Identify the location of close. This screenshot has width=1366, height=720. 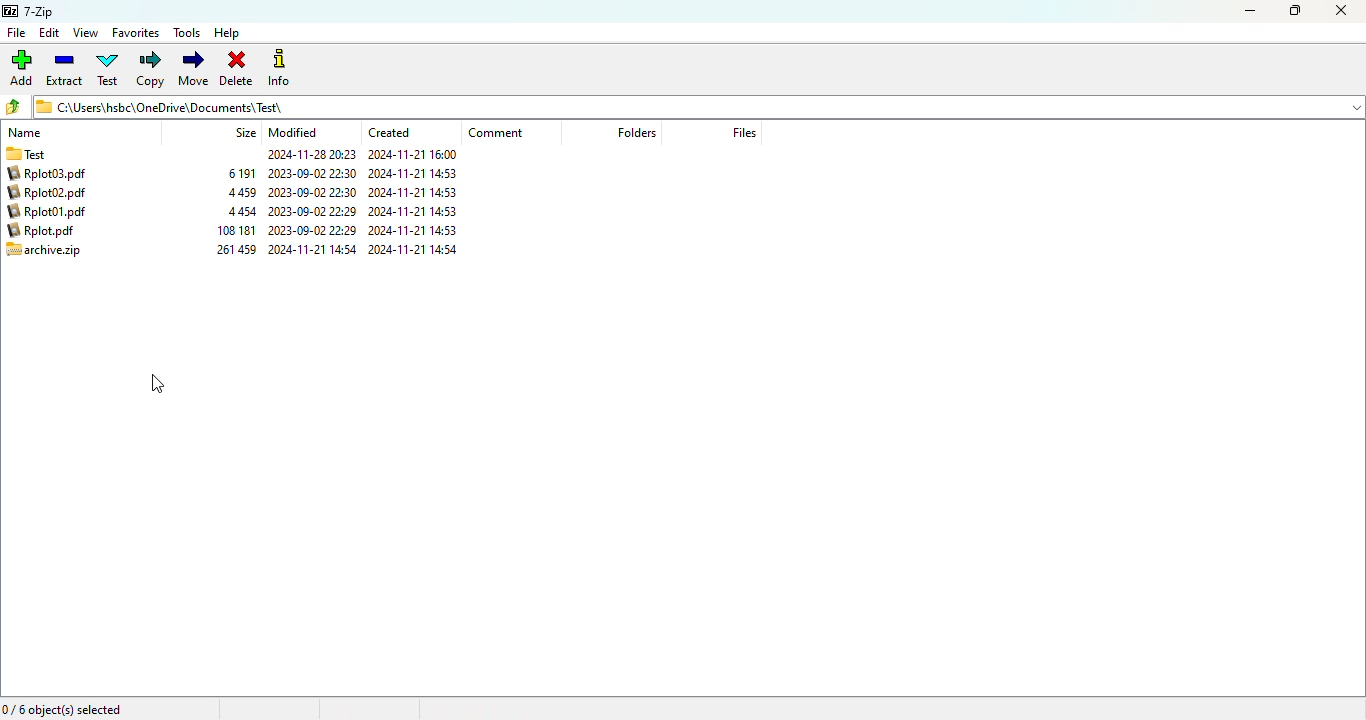
(1341, 11).